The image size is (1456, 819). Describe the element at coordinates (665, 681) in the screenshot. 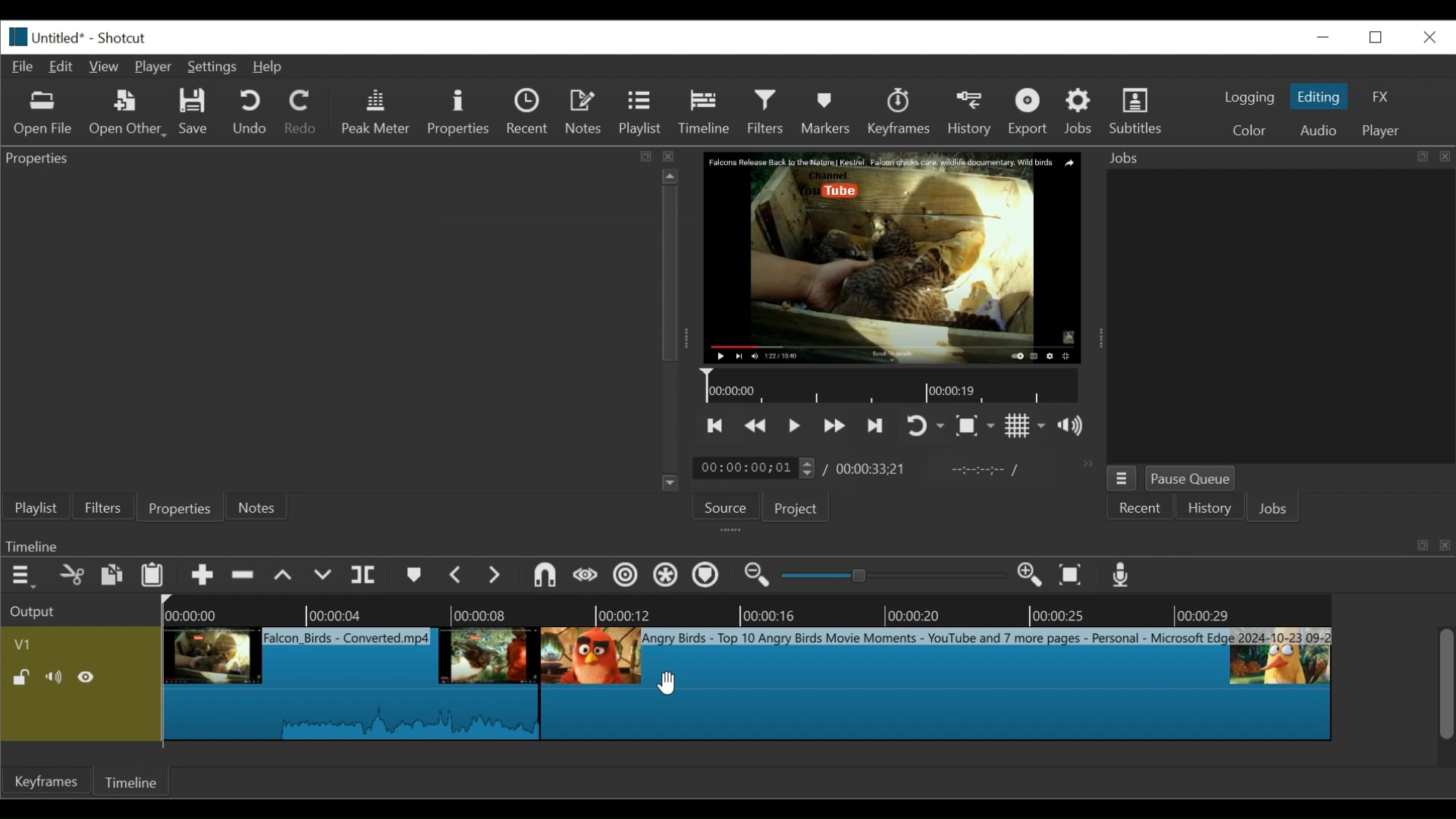

I see `Cursor` at that location.